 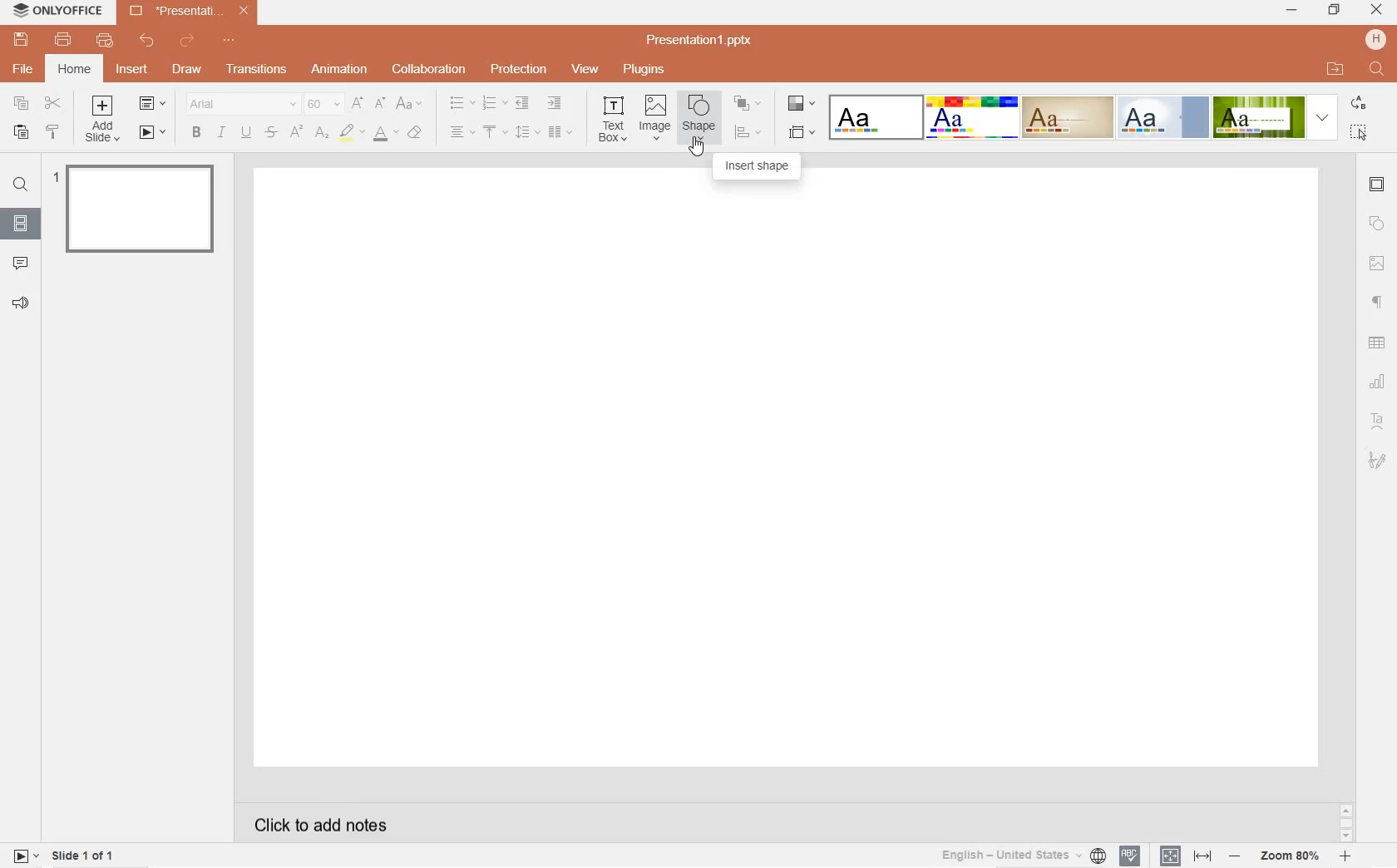 I want to click on feedback & support, so click(x=20, y=303).